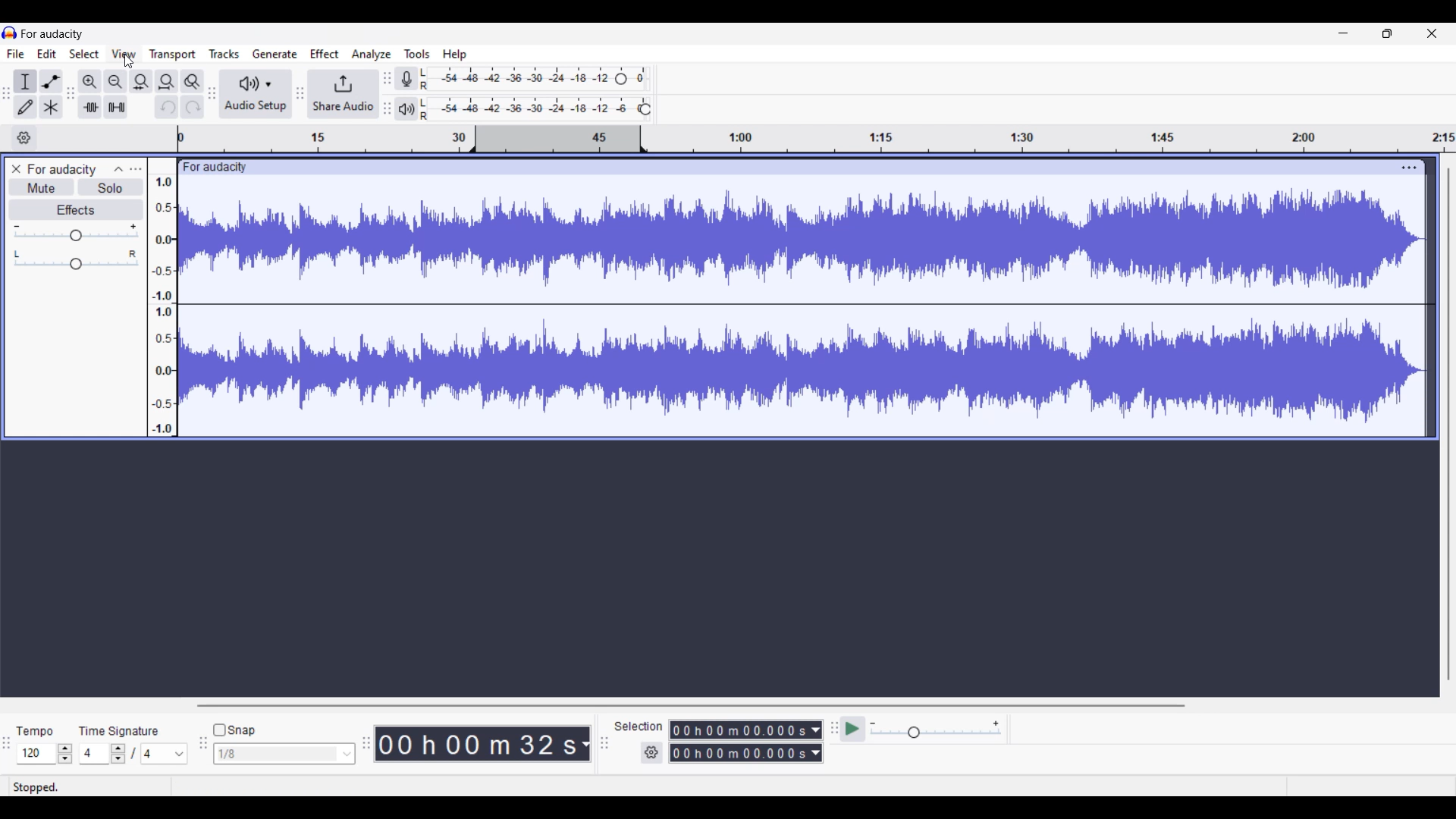  What do you see at coordinates (815, 753) in the screenshot?
I see `Duration measurement` at bounding box center [815, 753].